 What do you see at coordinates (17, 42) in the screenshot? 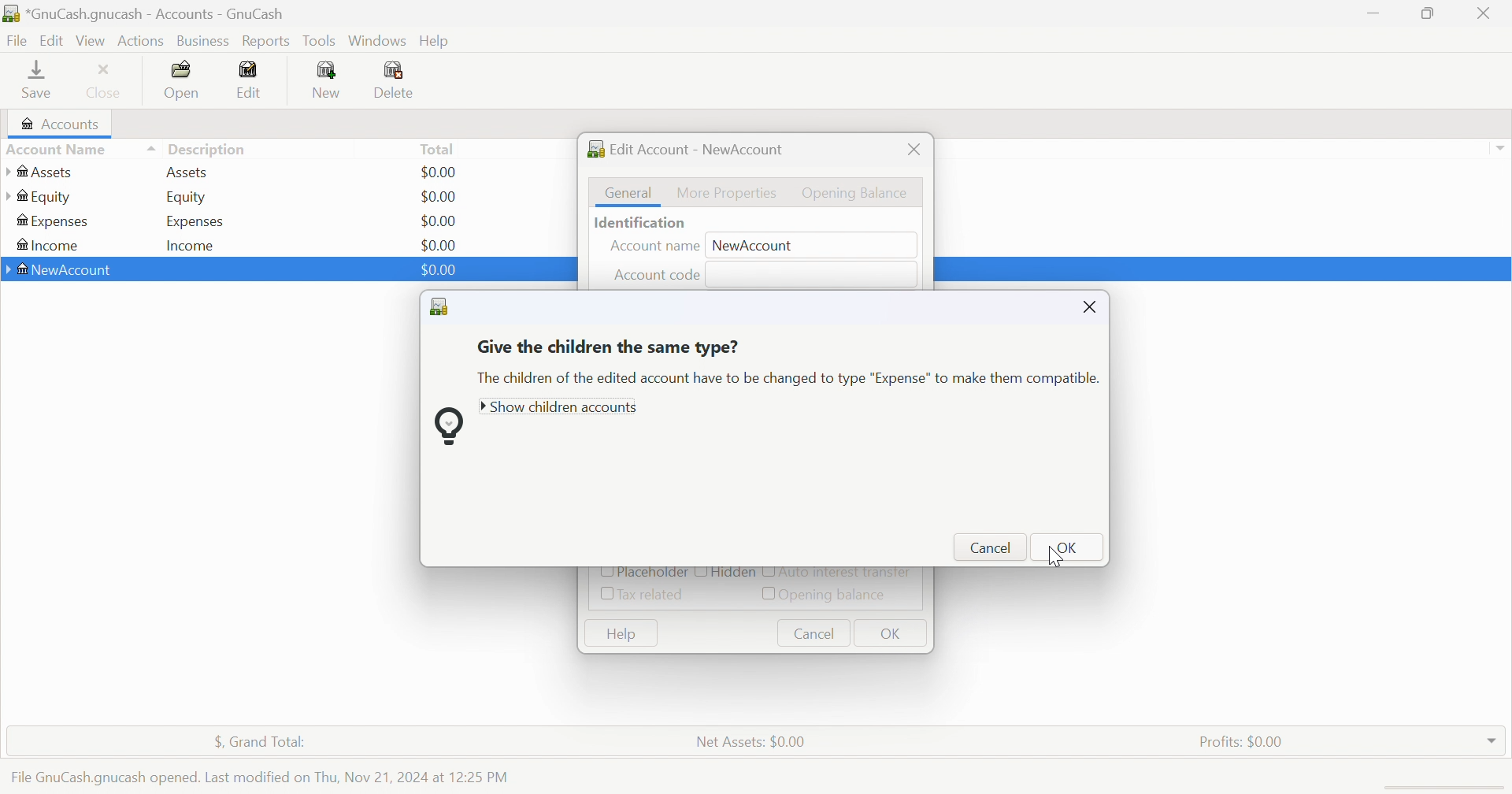
I see `File` at bounding box center [17, 42].